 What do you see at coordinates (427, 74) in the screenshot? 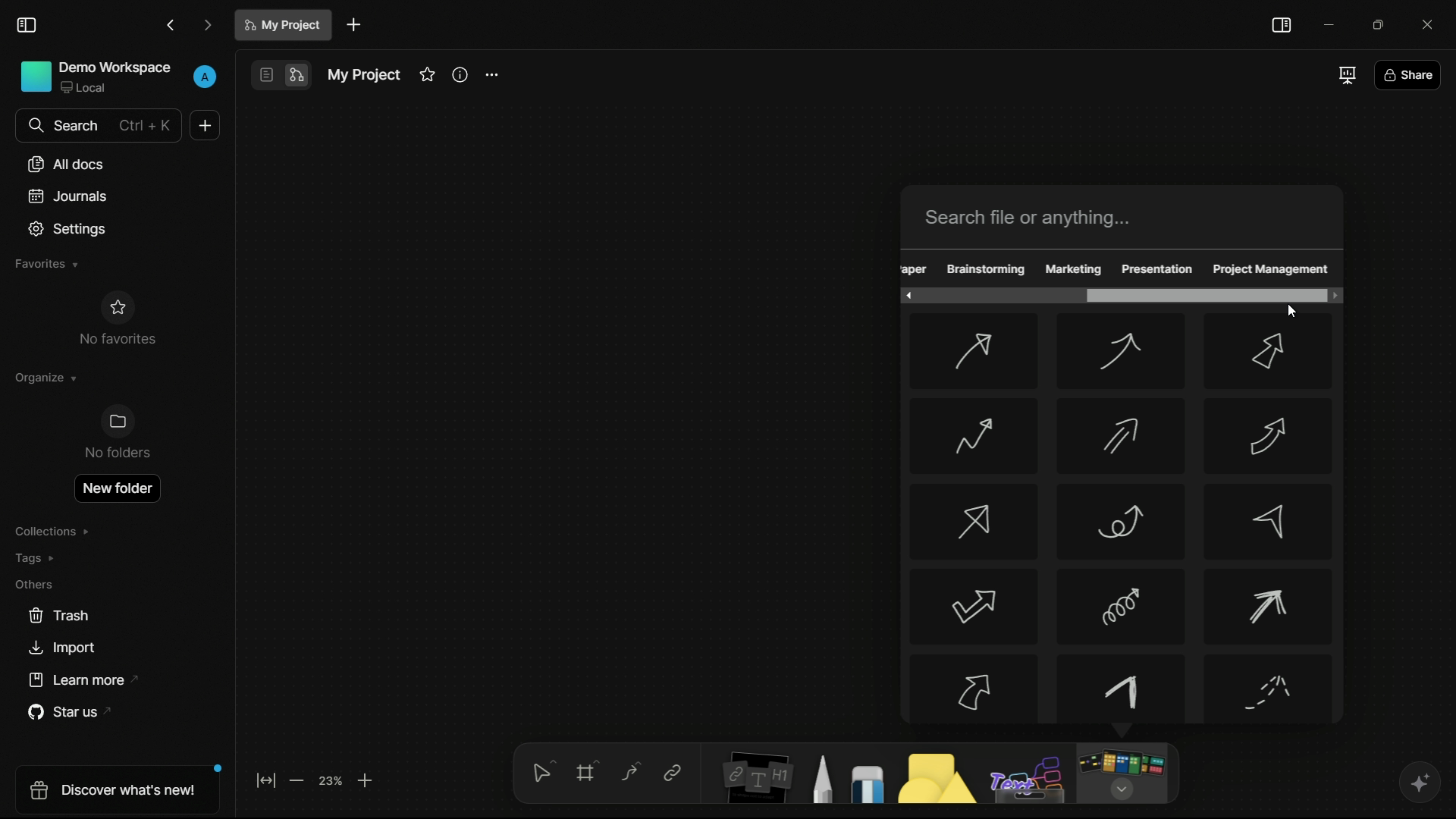
I see `favorites` at bounding box center [427, 74].